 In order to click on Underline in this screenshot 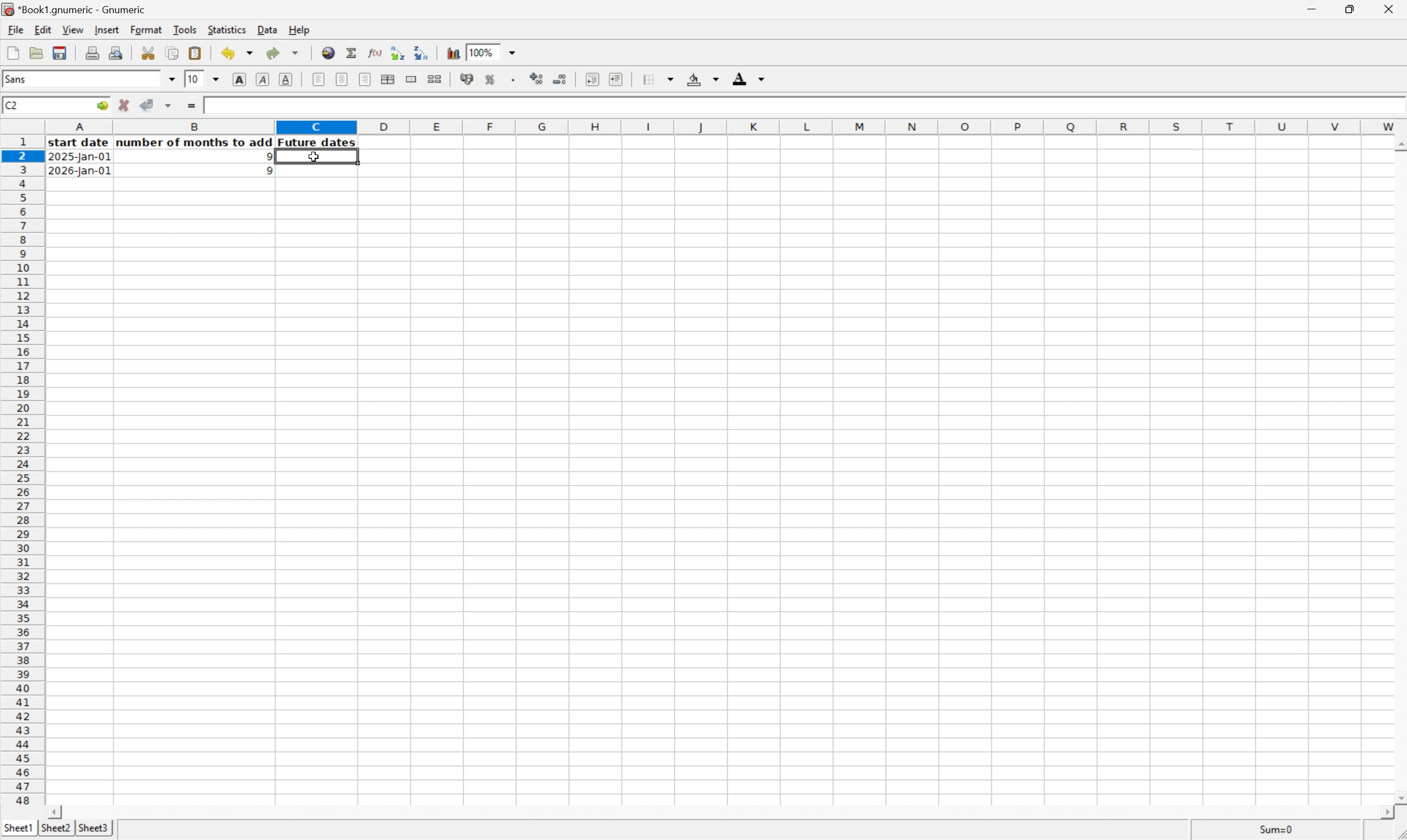, I will do `click(288, 79)`.